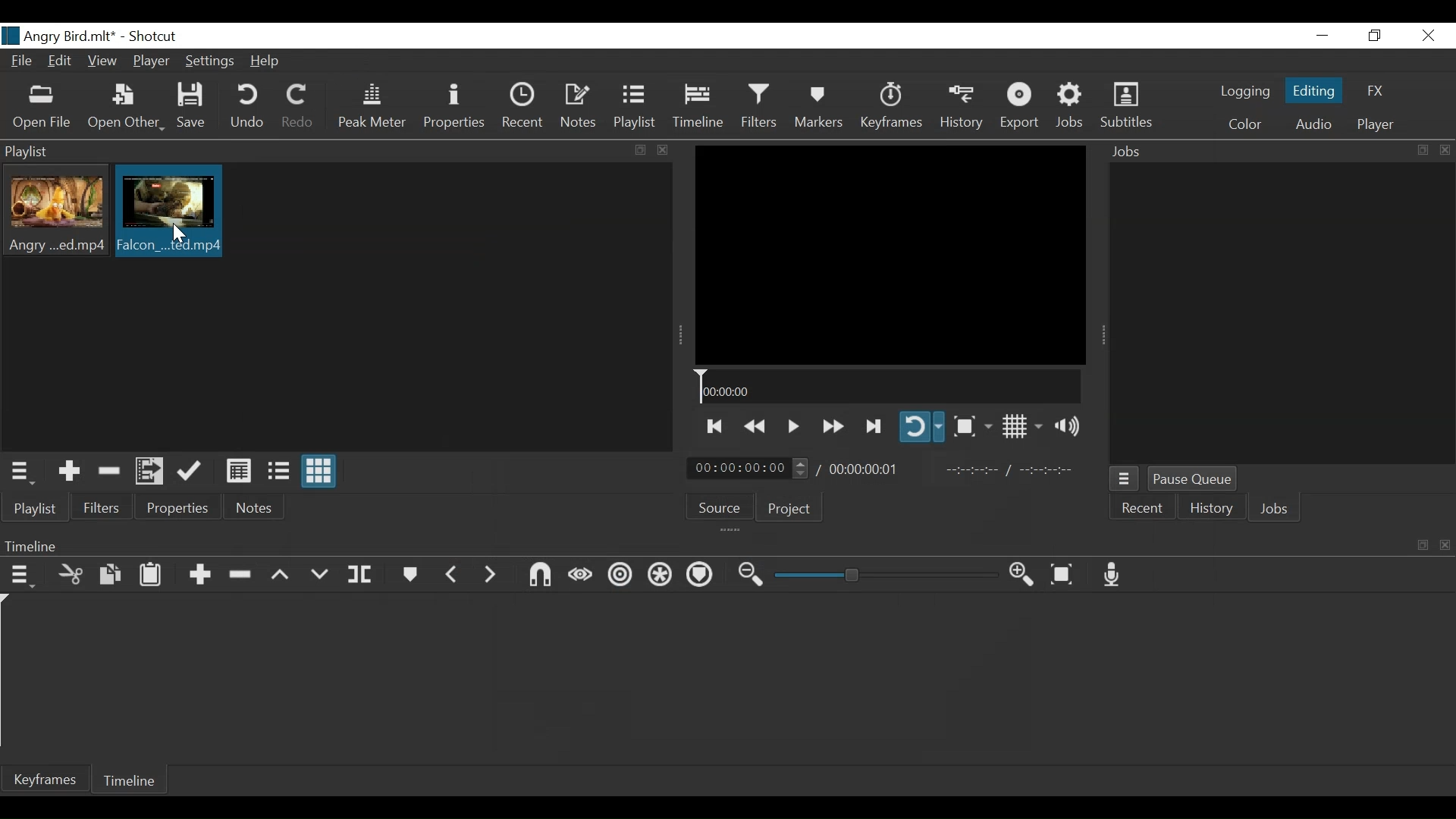 This screenshot has width=1456, height=819. I want to click on Settings, so click(211, 63).